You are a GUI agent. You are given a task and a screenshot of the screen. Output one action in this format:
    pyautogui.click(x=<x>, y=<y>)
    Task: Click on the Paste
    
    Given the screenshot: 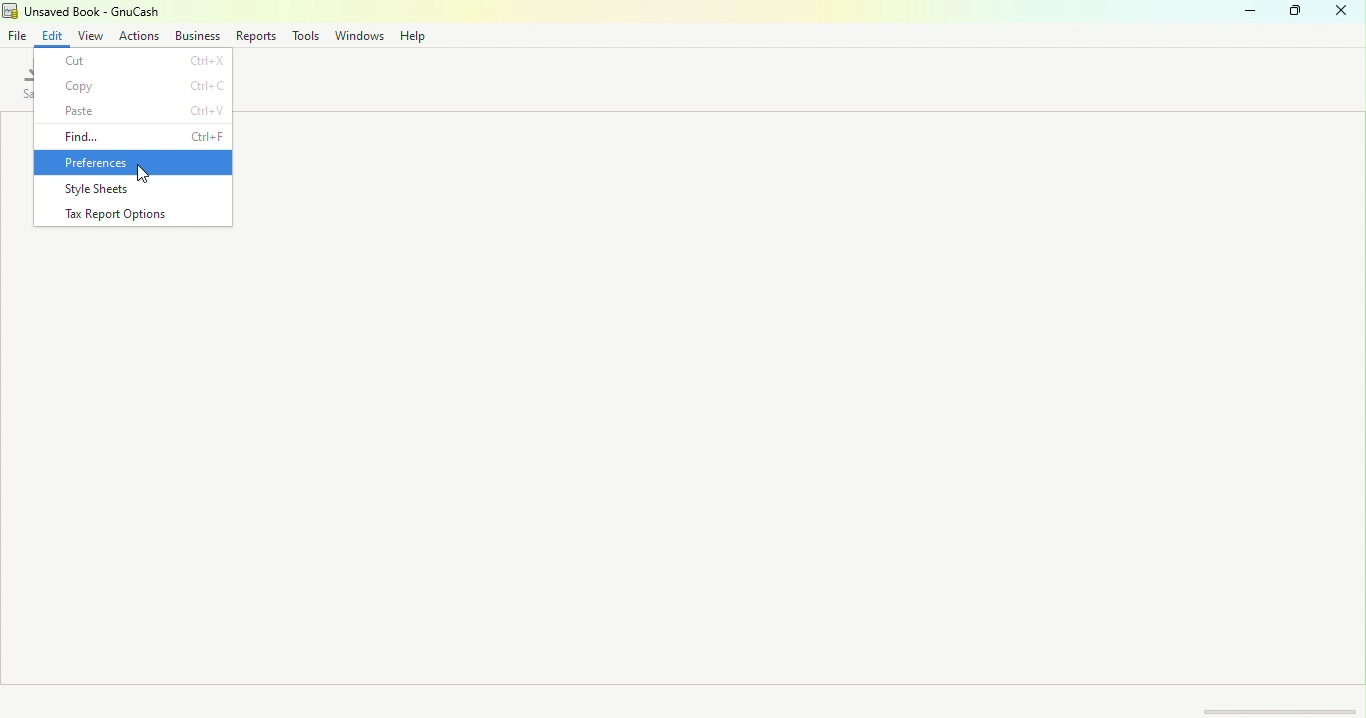 What is the action you would take?
    pyautogui.click(x=137, y=113)
    